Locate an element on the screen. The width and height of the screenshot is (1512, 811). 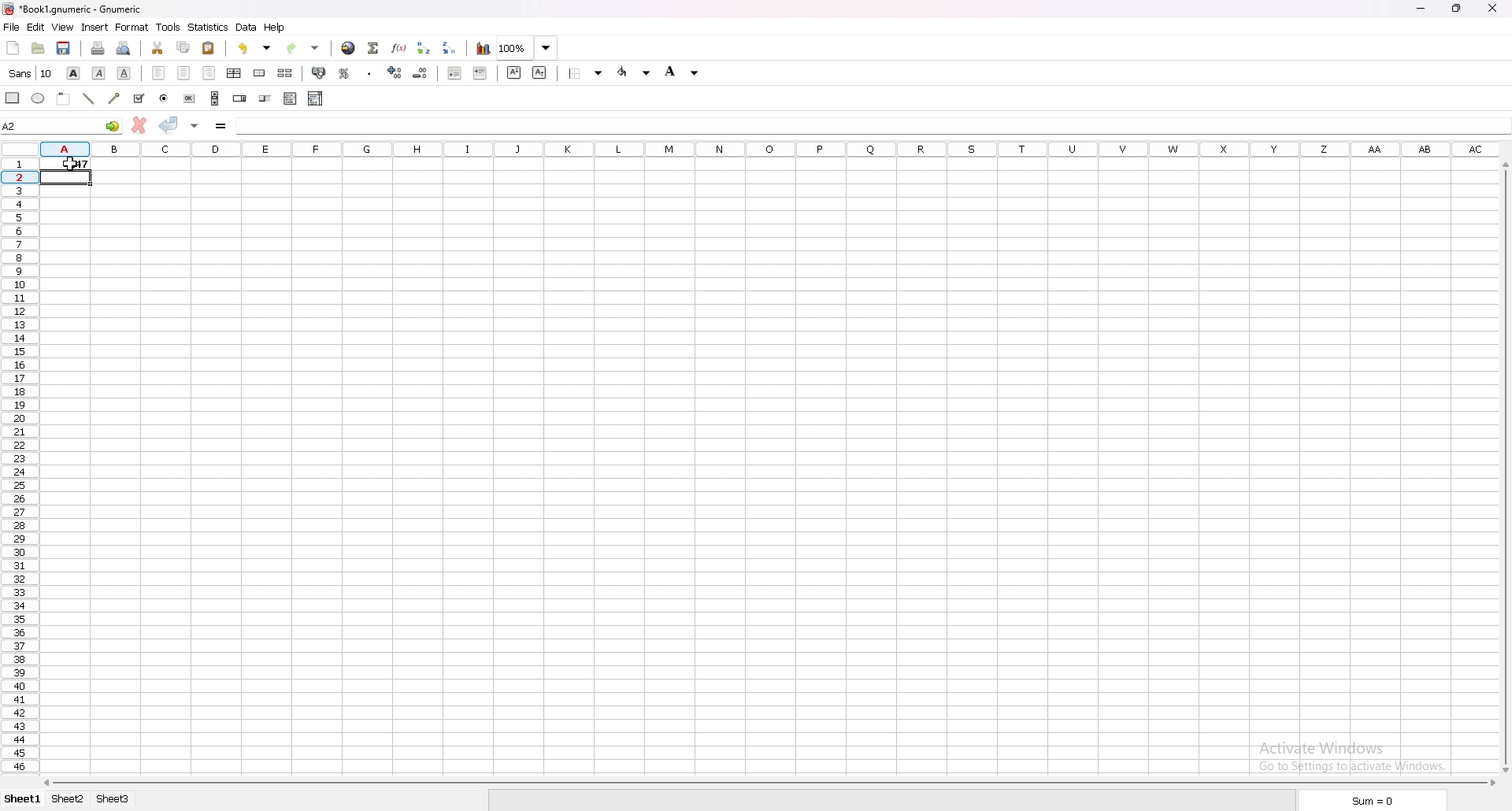
column is located at coordinates (765, 149).